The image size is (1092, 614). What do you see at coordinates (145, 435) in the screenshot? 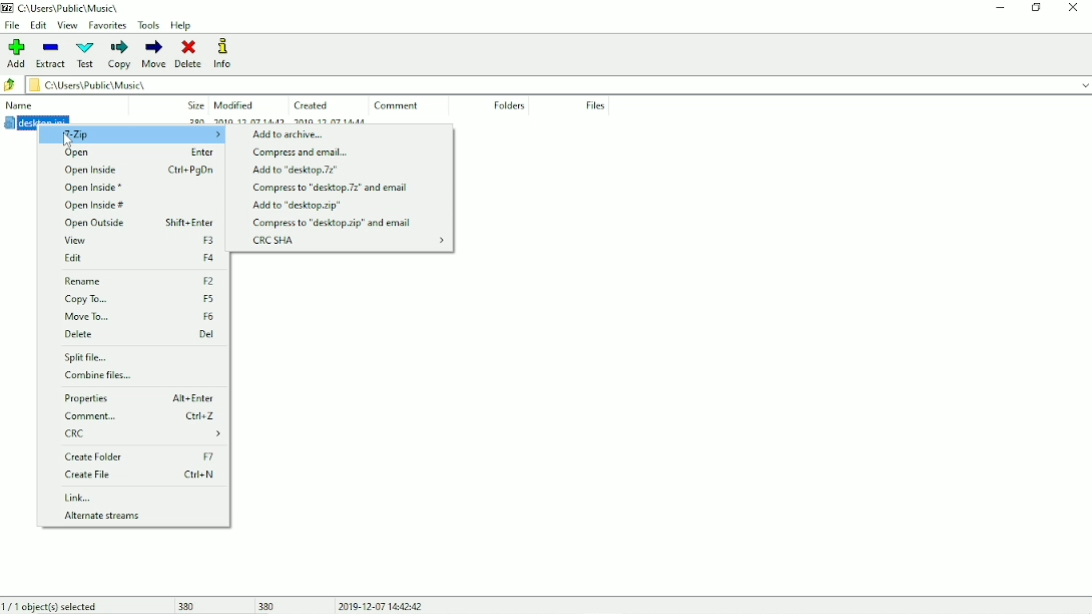
I see `CRC` at bounding box center [145, 435].